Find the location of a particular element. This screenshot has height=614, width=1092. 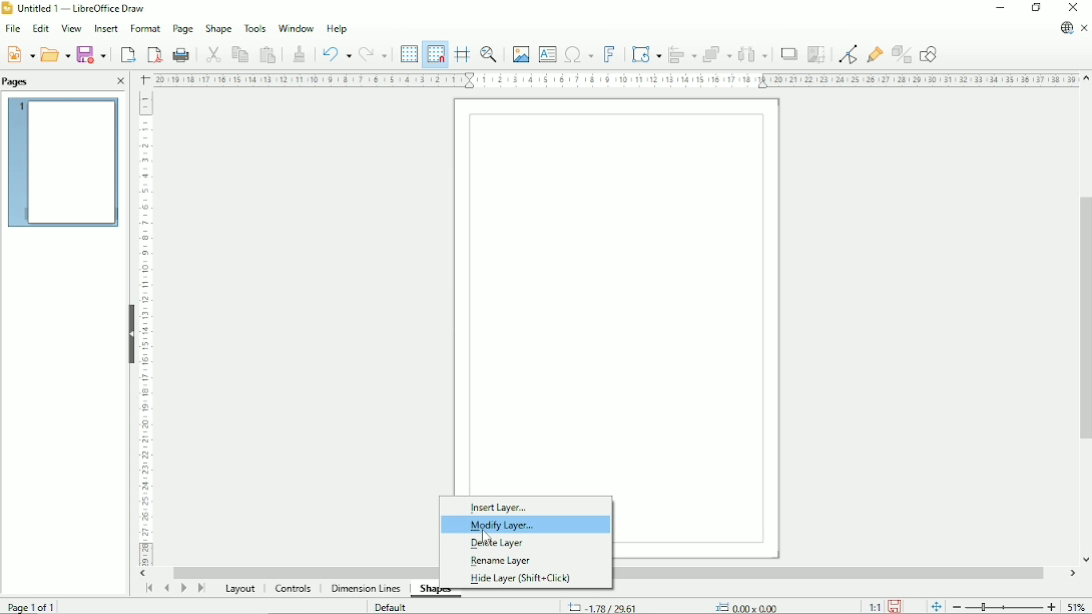

Cursor is located at coordinates (485, 537).